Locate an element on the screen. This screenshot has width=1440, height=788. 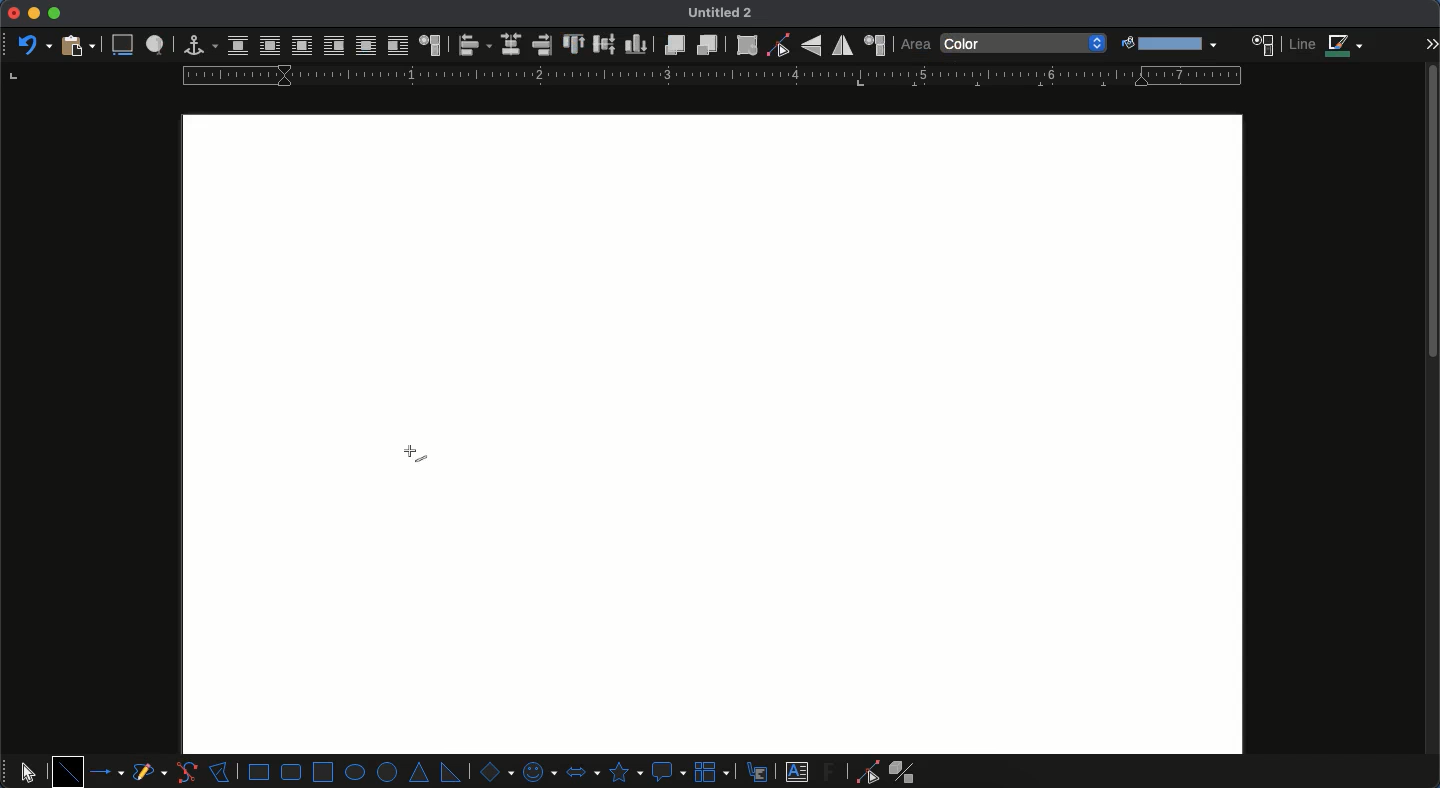
rectangle is located at coordinates (259, 772).